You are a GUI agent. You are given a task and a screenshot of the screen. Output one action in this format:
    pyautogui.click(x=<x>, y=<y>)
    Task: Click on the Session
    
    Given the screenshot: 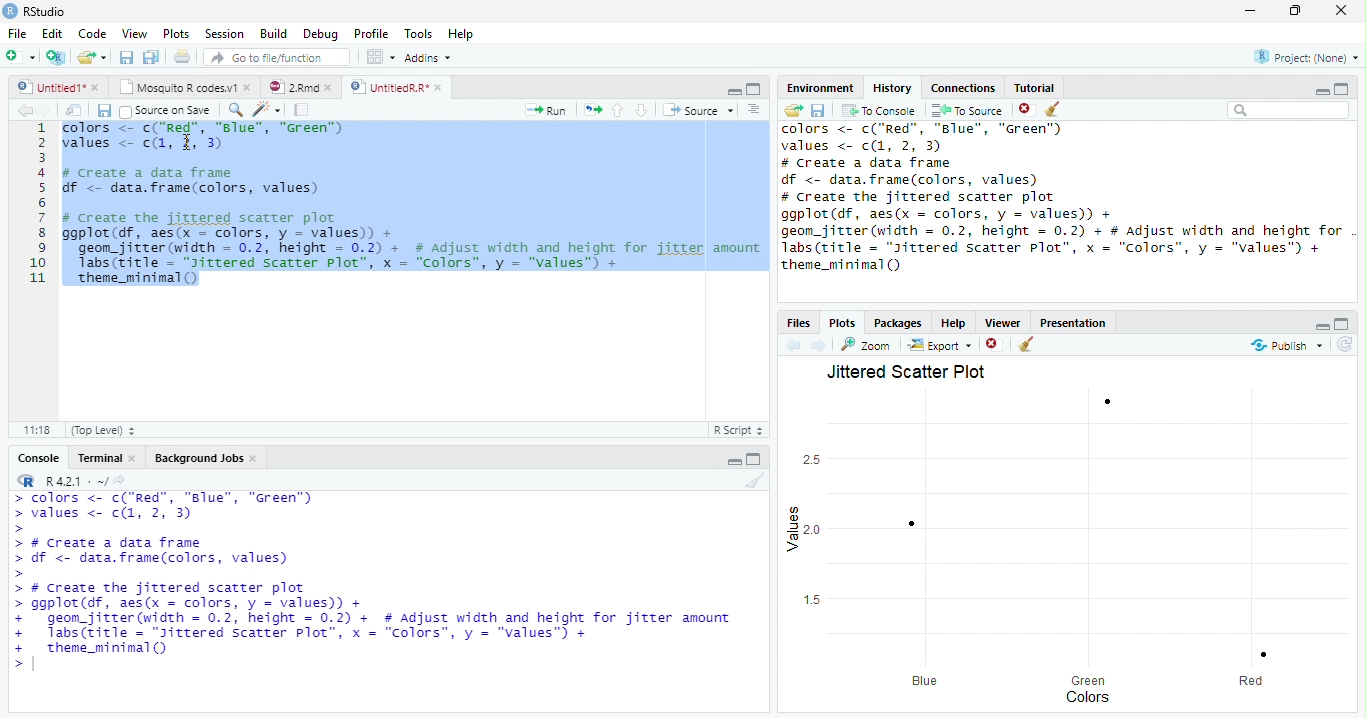 What is the action you would take?
    pyautogui.click(x=224, y=33)
    